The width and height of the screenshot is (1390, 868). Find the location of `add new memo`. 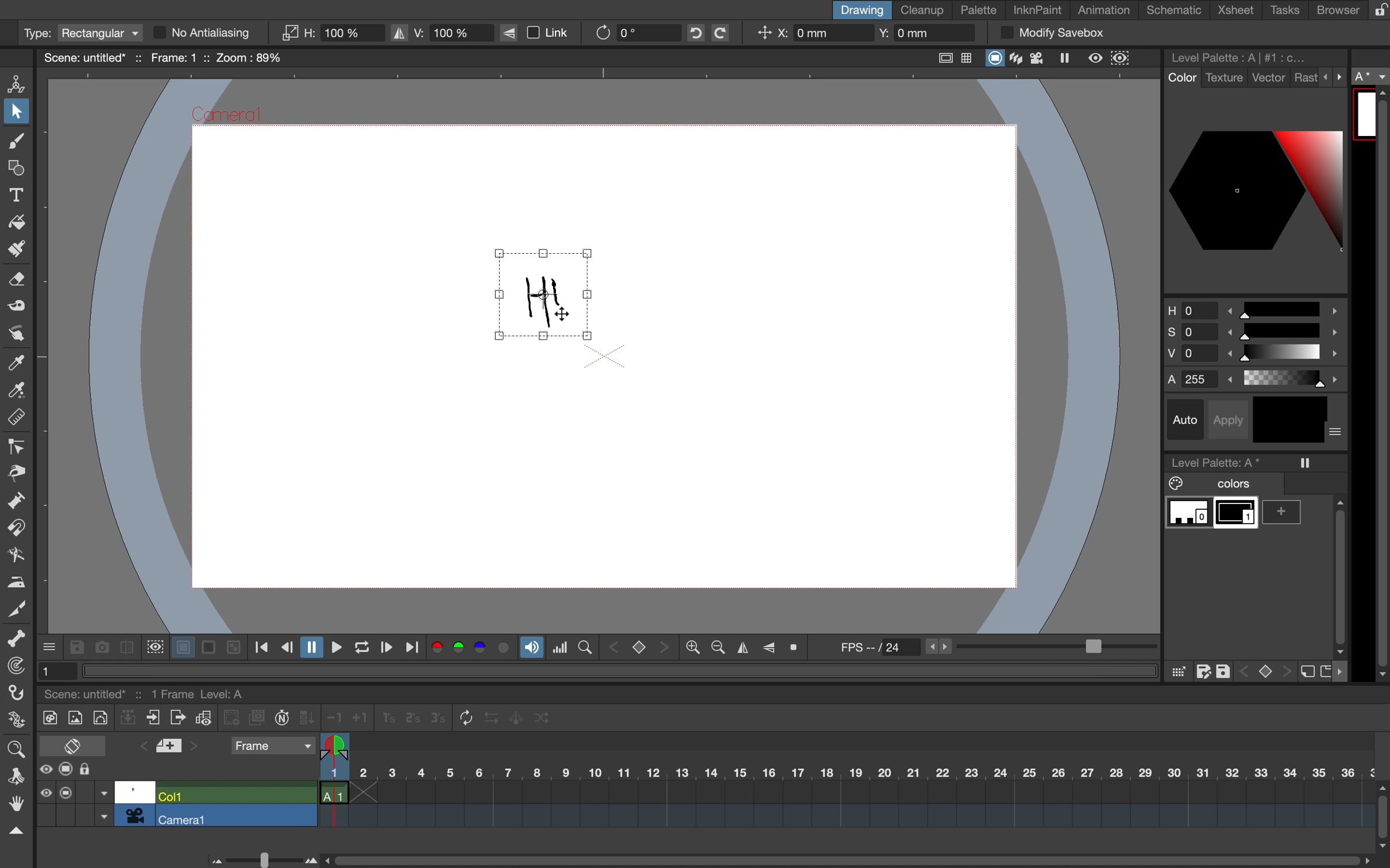

add new memo is located at coordinates (171, 749).